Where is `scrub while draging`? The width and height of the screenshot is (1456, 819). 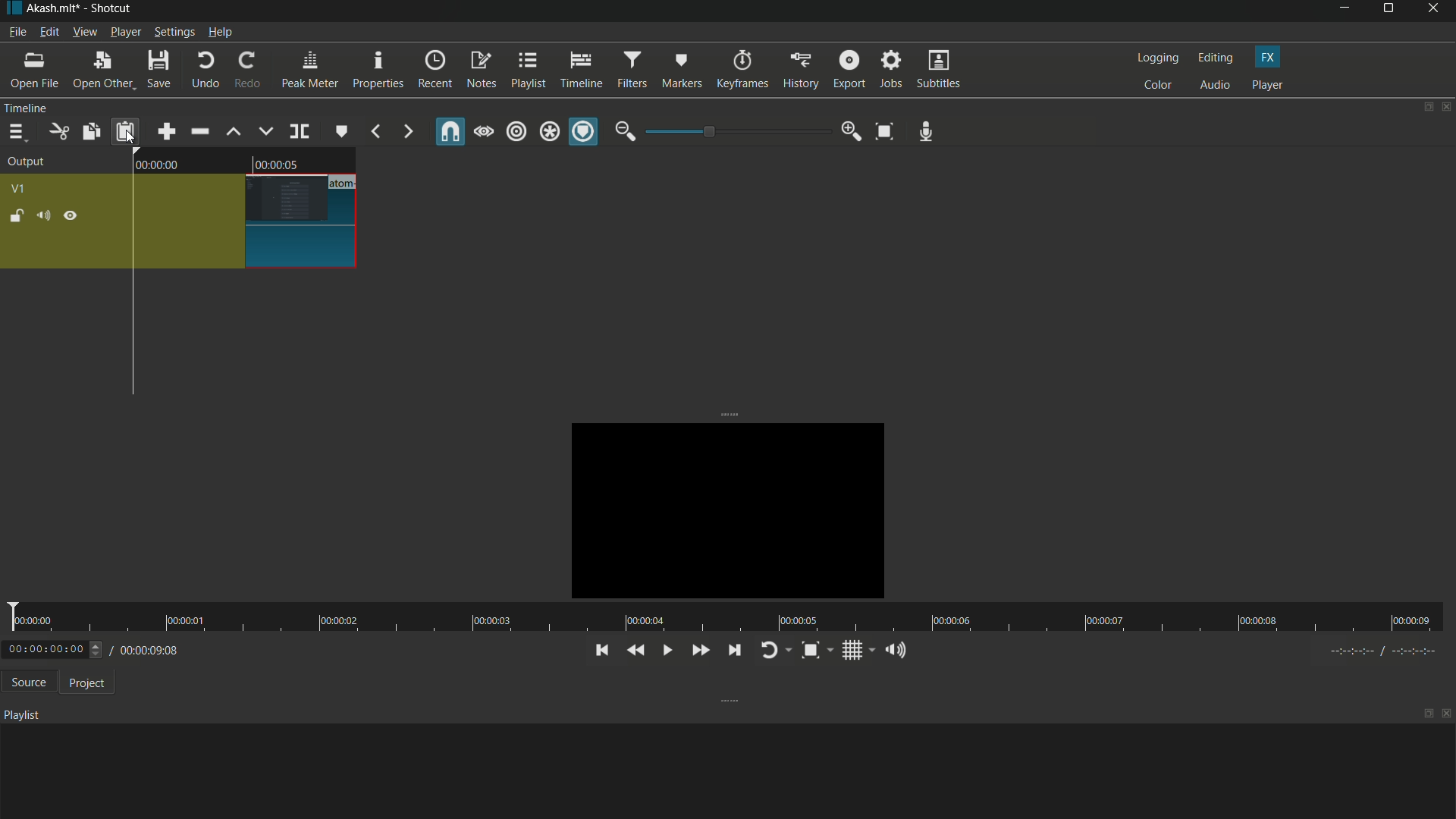
scrub while draging is located at coordinates (485, 131).